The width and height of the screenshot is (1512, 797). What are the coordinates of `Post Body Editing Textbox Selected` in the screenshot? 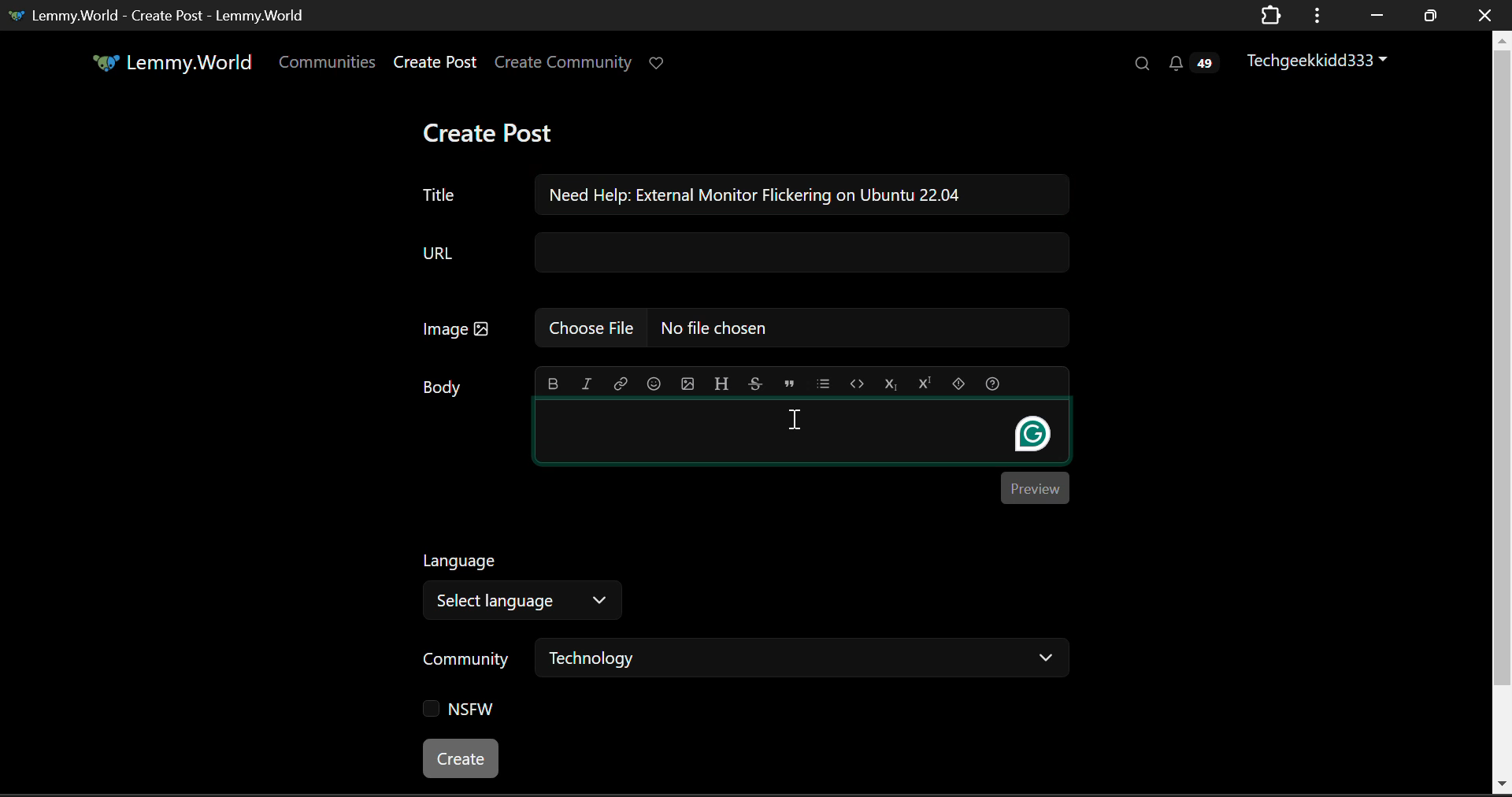 It's located at (800, 433).